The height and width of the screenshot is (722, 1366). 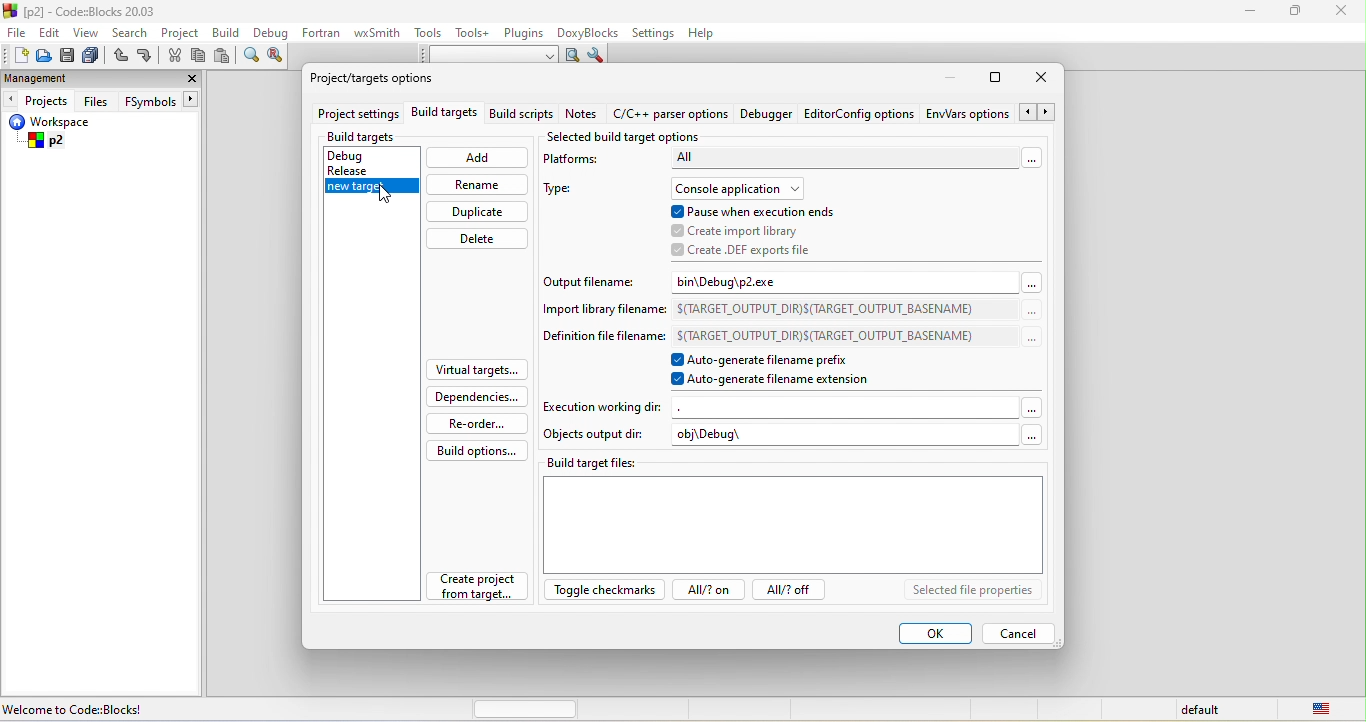 What do you see at coordinates (595, 280) in the screenshot?
I see `output file` at bounding box center [595, 280].